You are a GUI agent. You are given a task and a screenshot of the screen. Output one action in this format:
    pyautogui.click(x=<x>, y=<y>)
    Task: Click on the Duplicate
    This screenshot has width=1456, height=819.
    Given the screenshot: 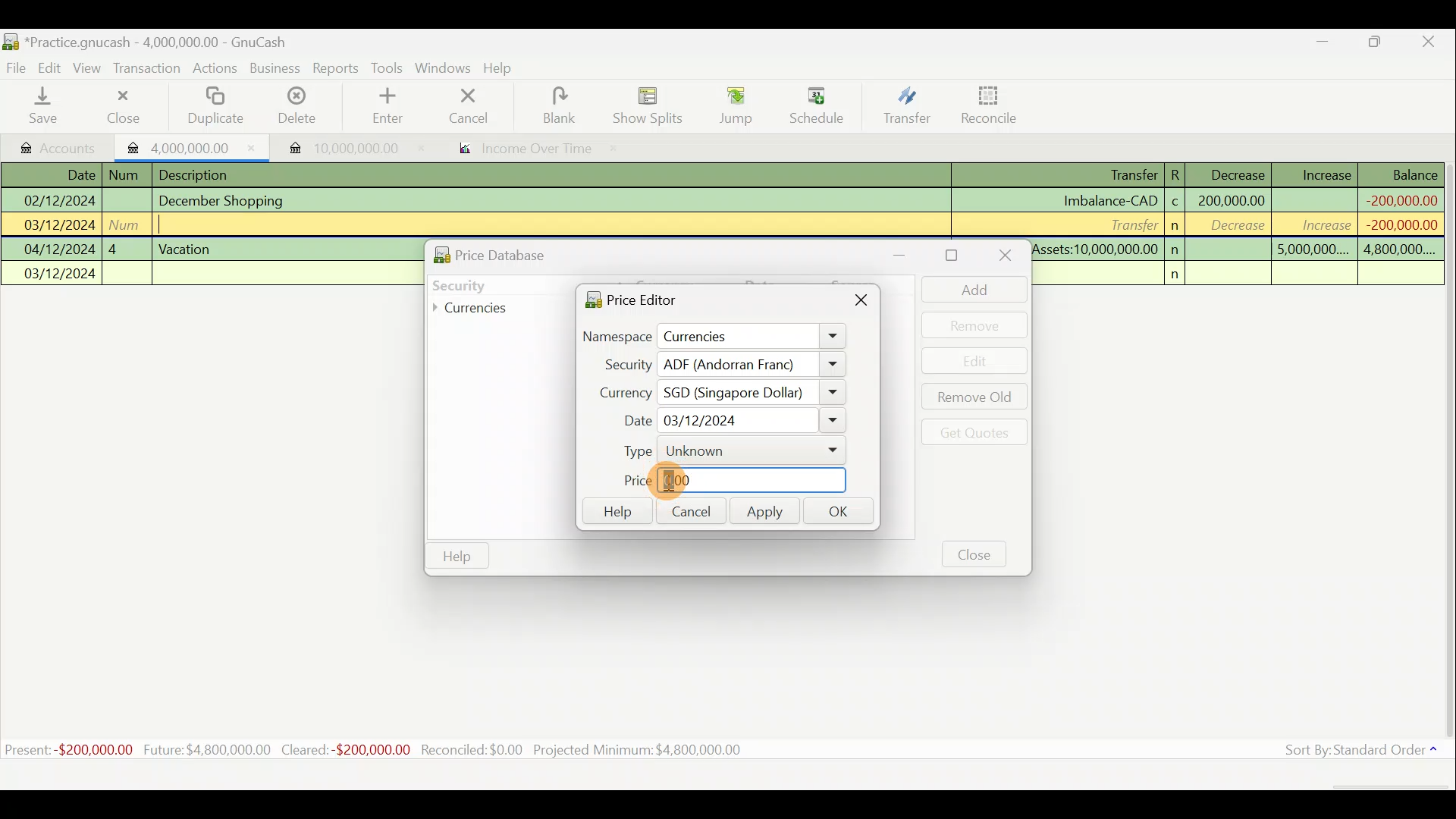 What is the action you would take?
    pyautogui.click(x=218, y=106)
    